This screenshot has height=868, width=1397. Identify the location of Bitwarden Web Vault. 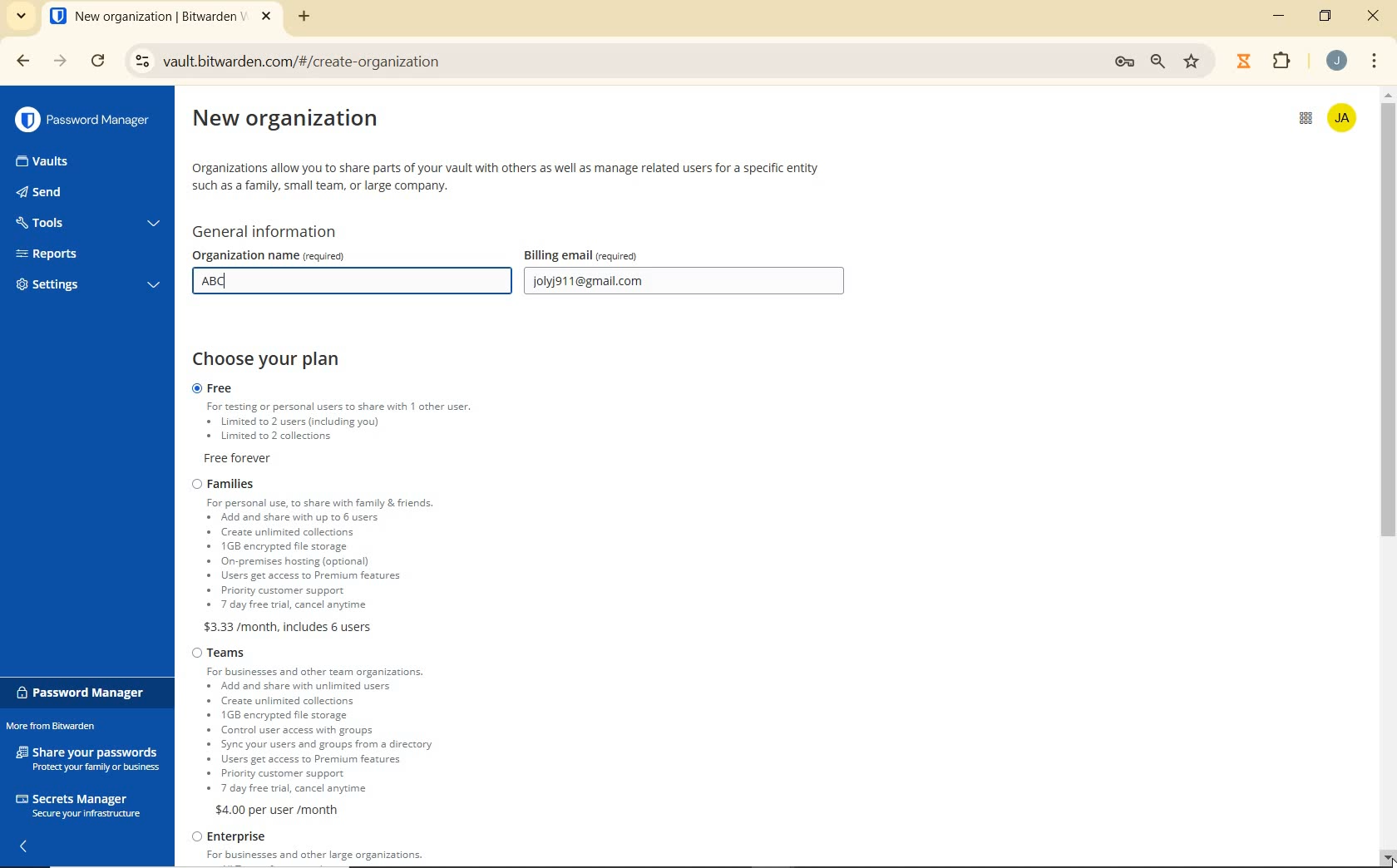
(160, 18).